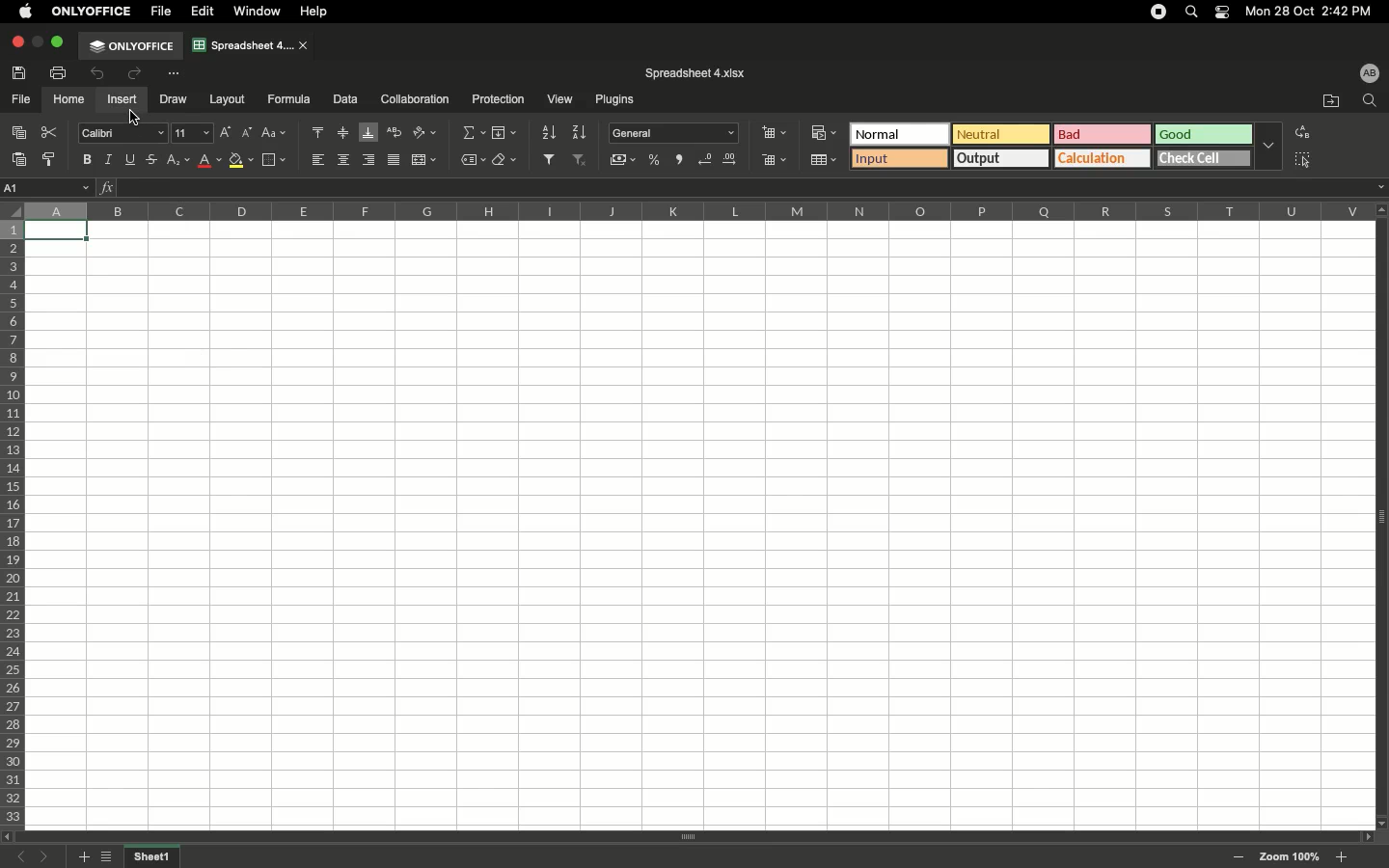 This screenshot has width=1389, height=868. Describe the element at coordinates (1380, 822) in the screenshot. I see `scroll down` at that location.